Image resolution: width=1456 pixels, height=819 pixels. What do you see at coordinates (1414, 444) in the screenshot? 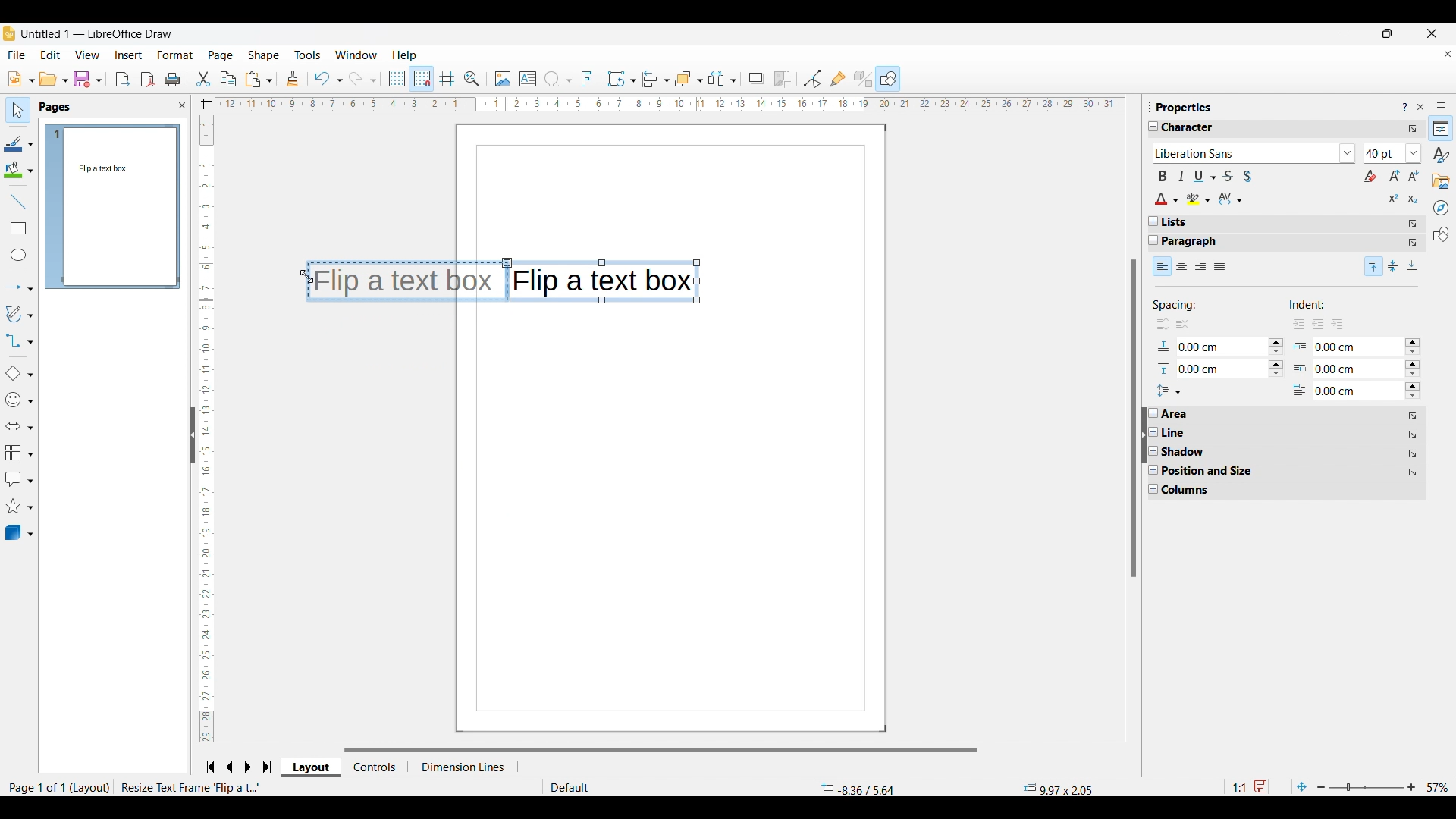
I see `More options for respective sub-title` at bounding box center [1414, 444].